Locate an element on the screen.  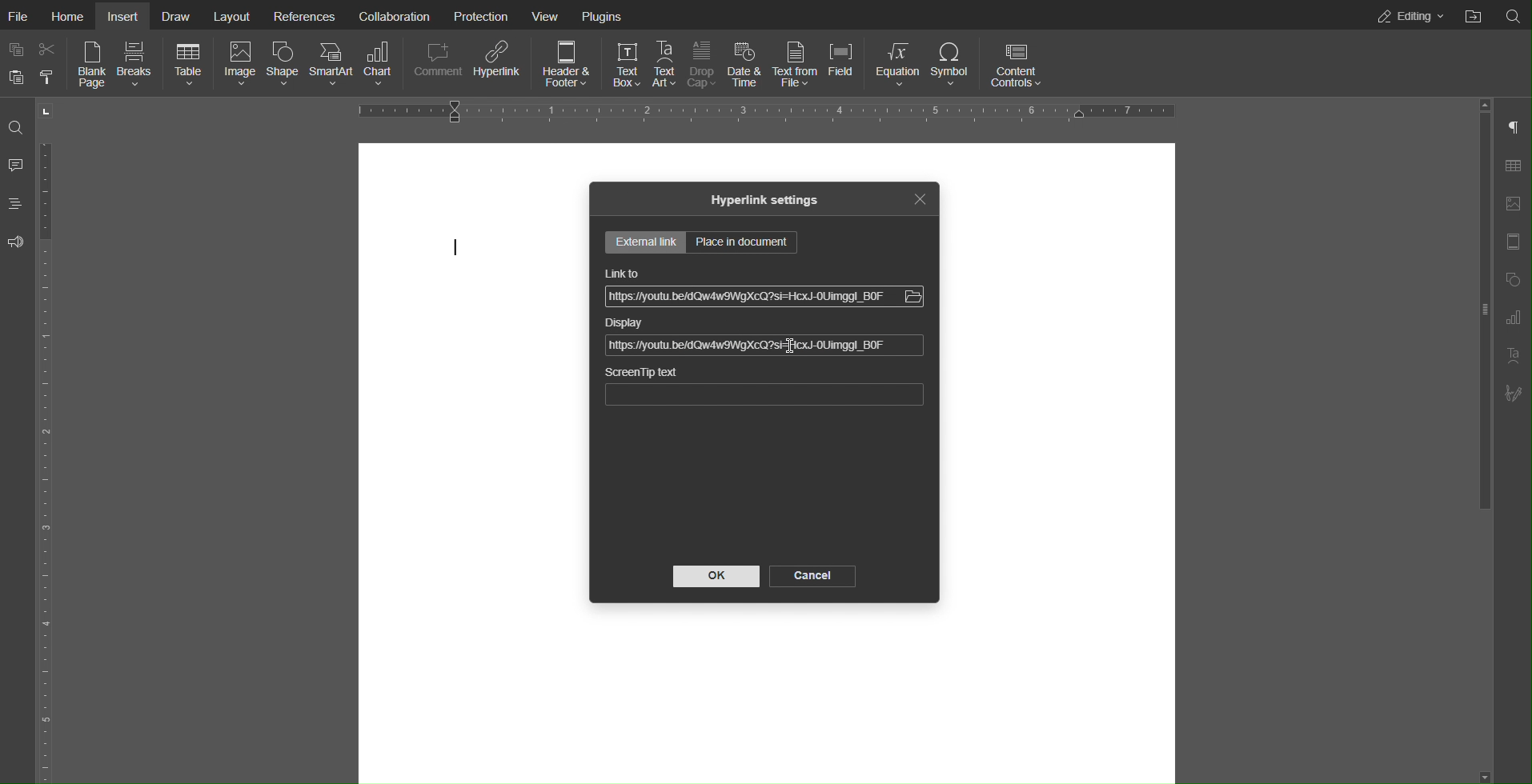
OK is located at coordinates (717, 577).